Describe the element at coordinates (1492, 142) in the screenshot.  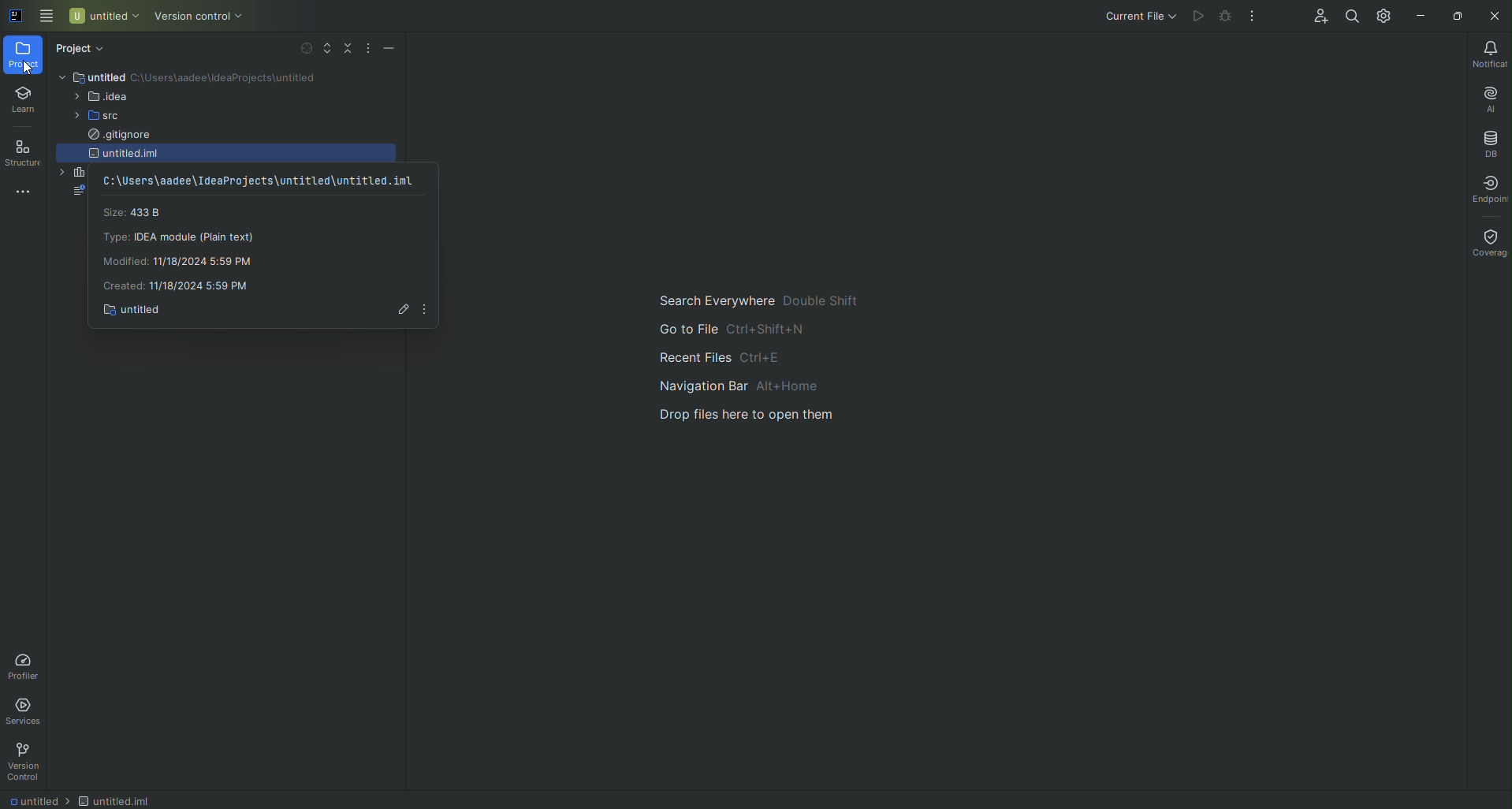
I see `Database` at that location.